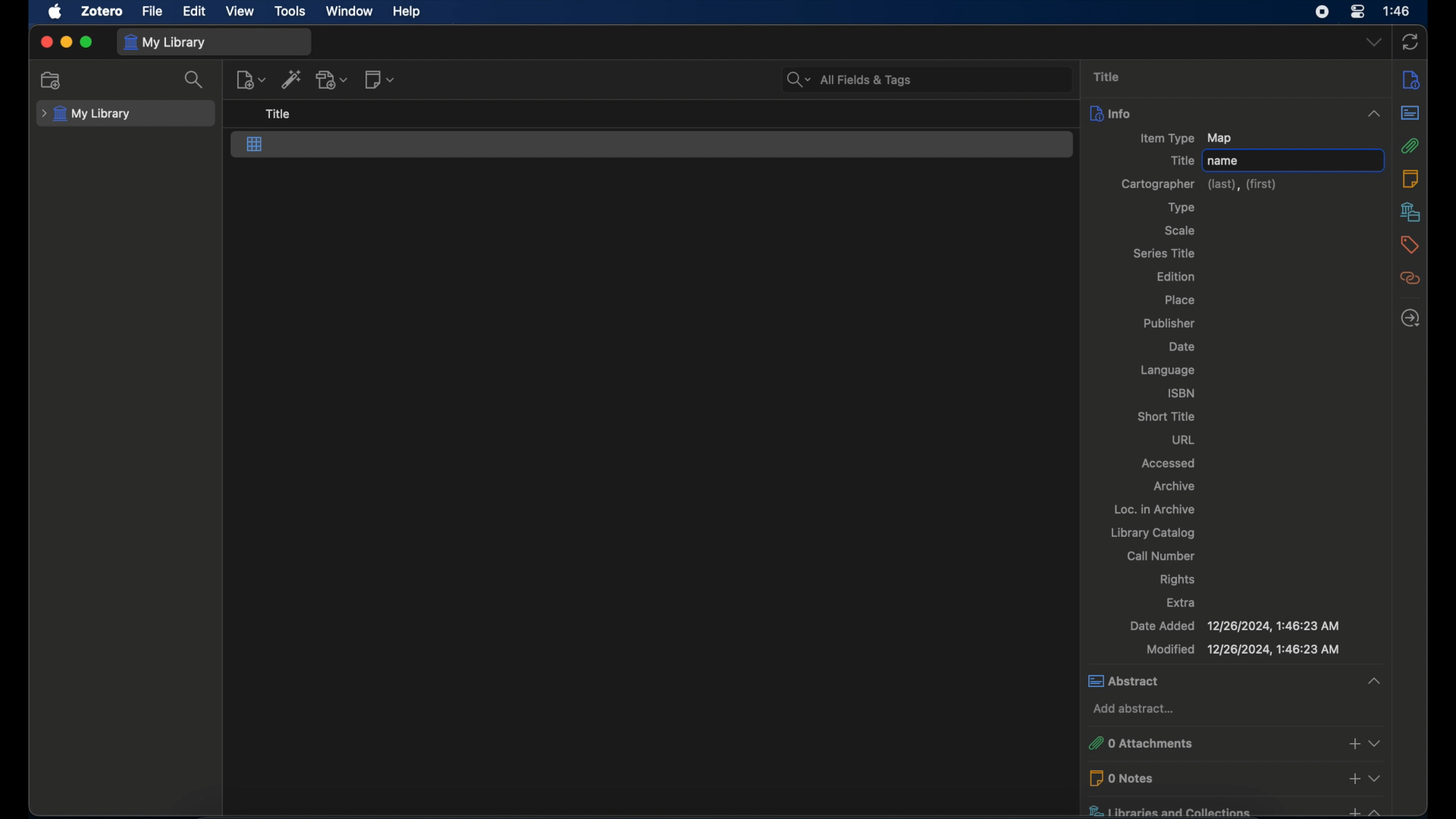  What do you see at coordinates (1175, 485) in the screenshot?
I see `archive` at bounding box center [1175, 485].